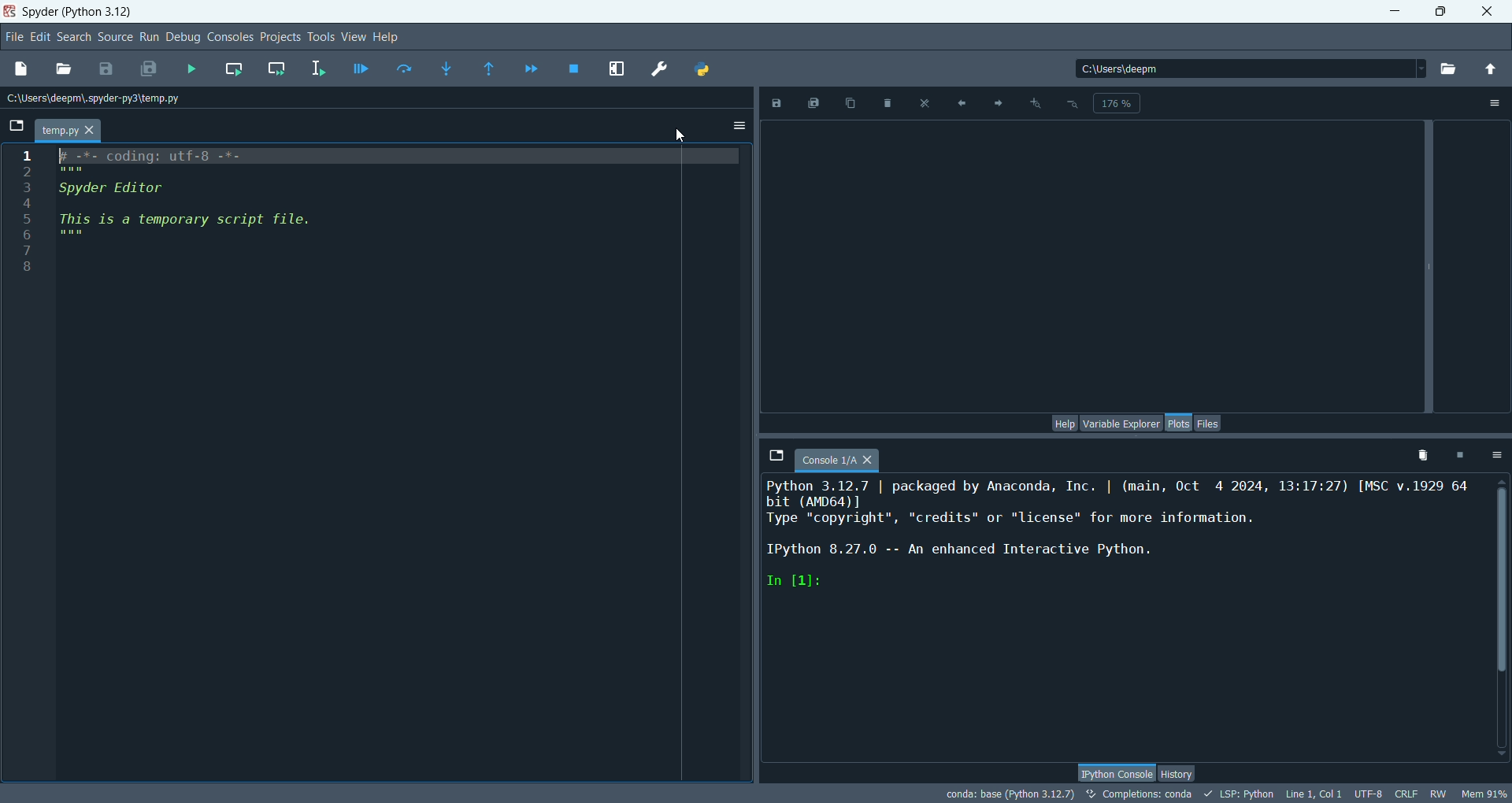 Image resolution: width=1512 pixels, height=803 pixels. I want to click on previous plot, so click(963, 102).